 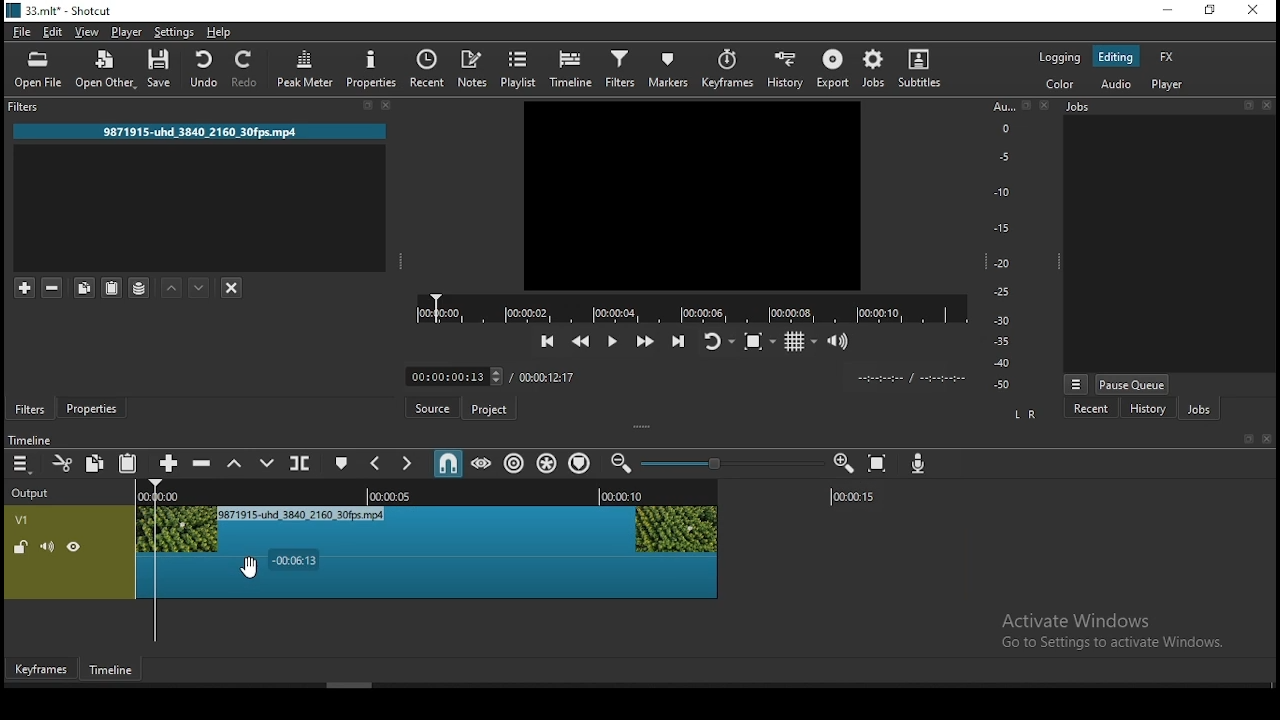 I want to click on logging, so click(x=1062, y=59).